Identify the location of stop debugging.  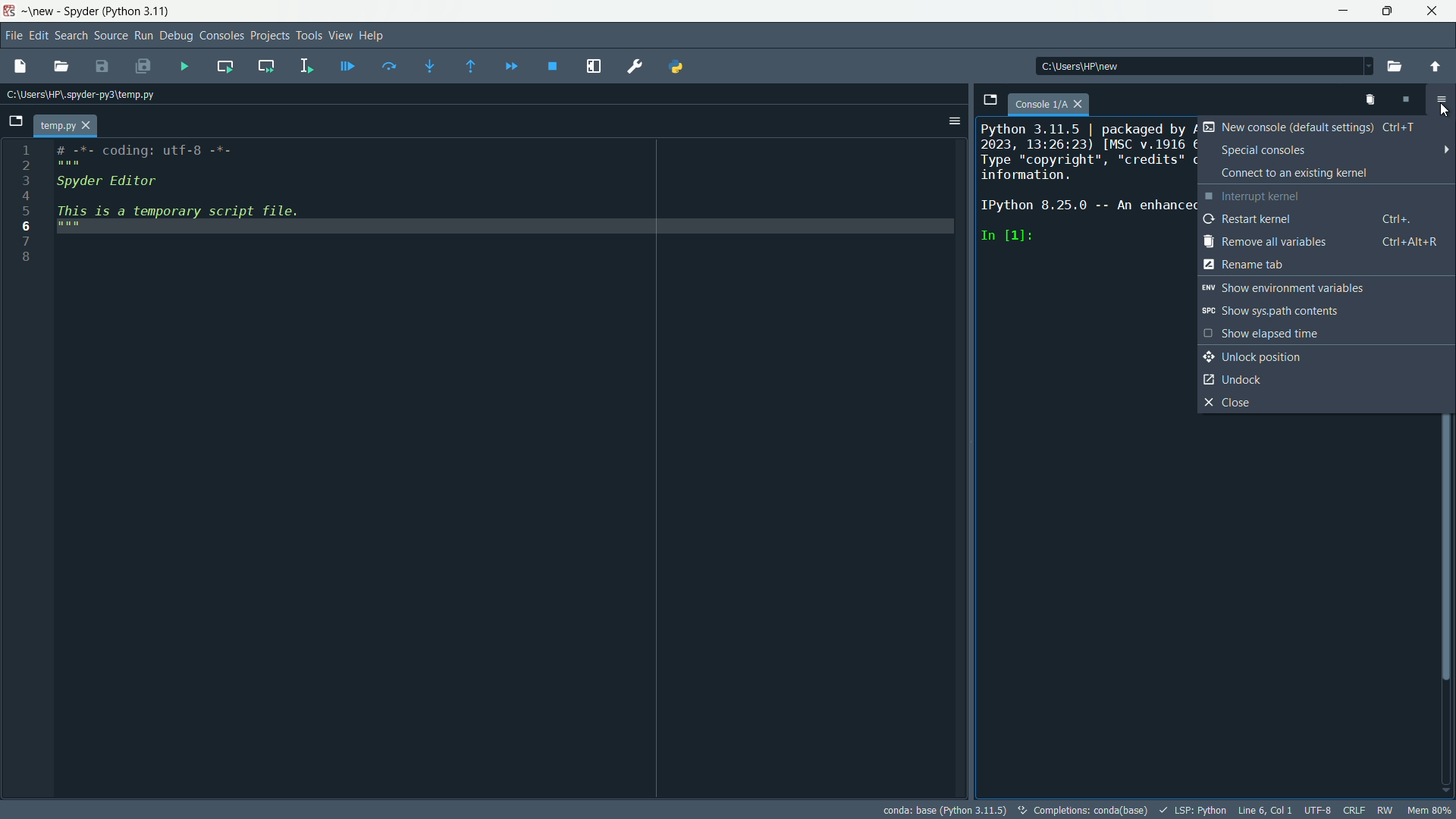
(551, 68).